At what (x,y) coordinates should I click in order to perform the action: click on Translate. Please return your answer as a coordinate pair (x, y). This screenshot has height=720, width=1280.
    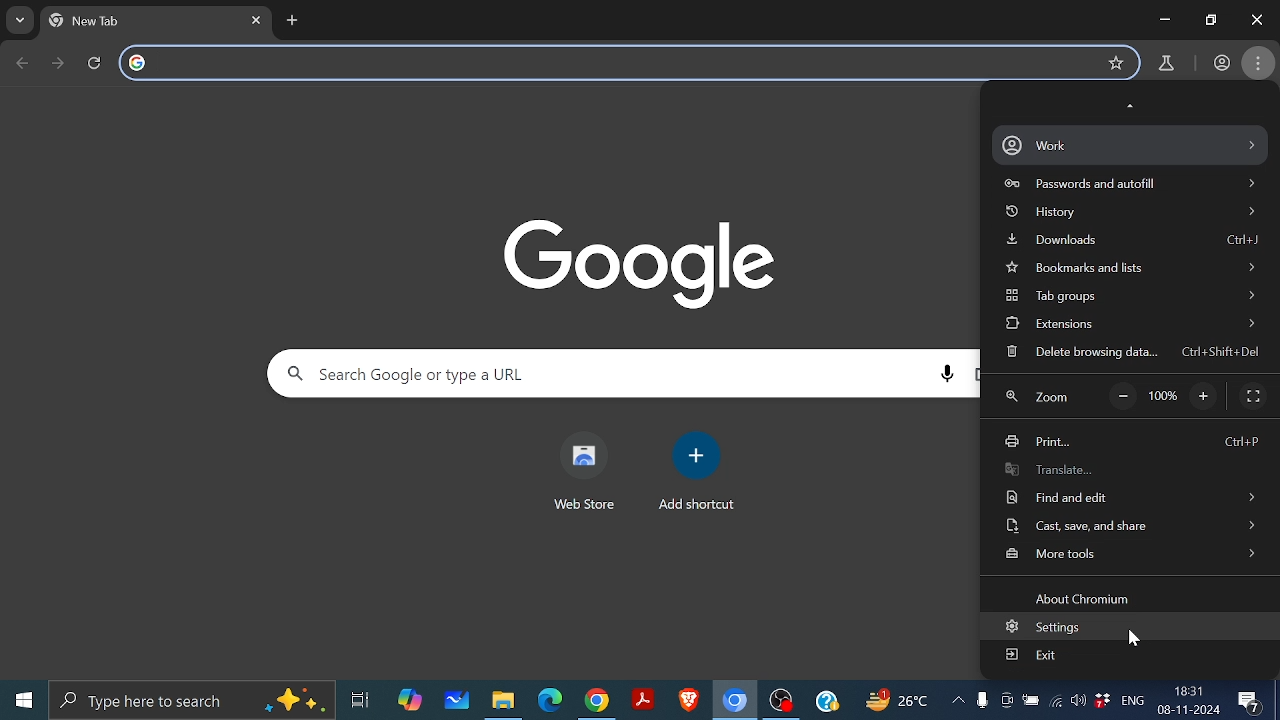
    Looking at the image, I should click on (1089, 469).